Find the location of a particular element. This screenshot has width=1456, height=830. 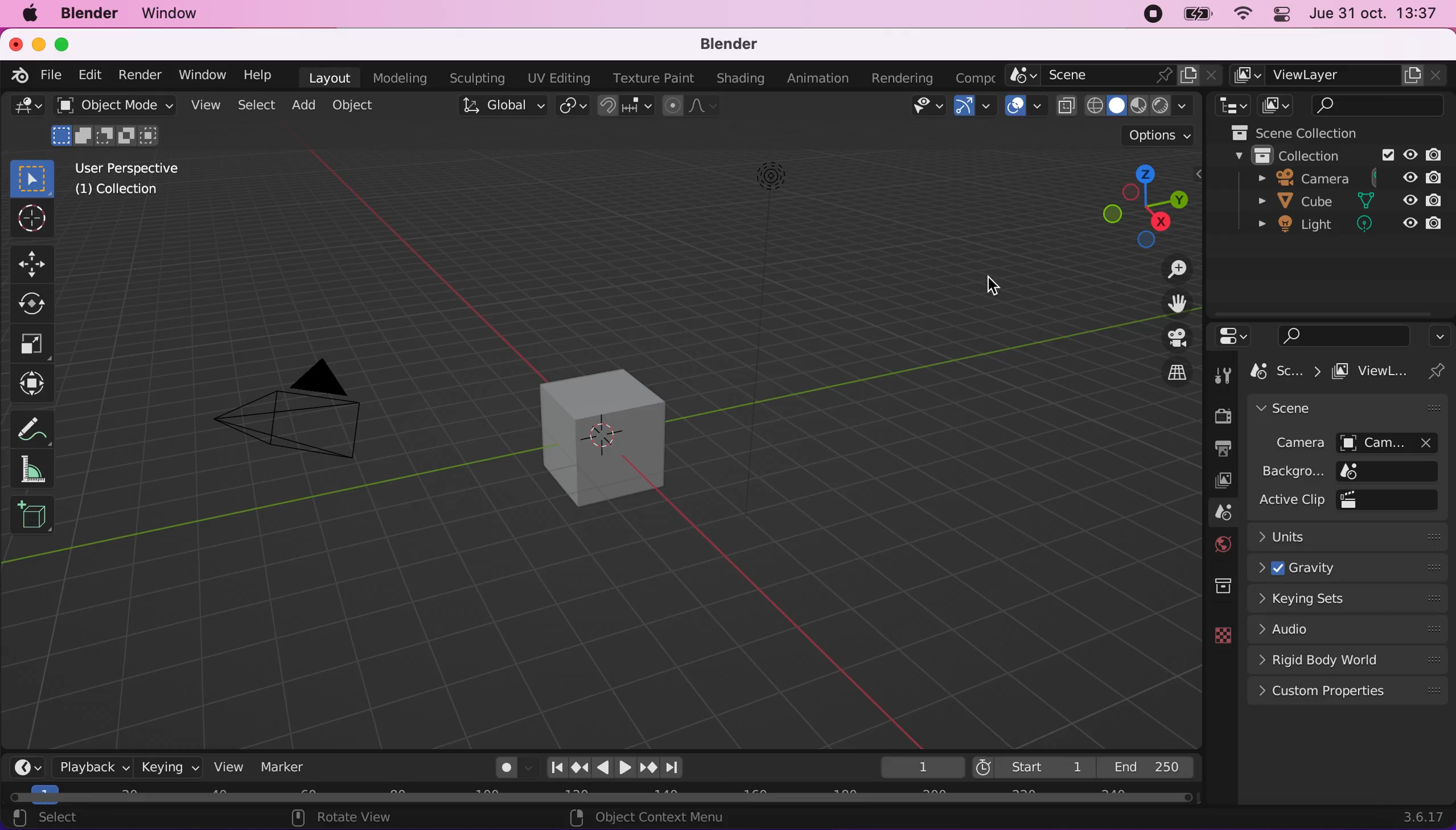

current frame is located at coordinates (920, 767).